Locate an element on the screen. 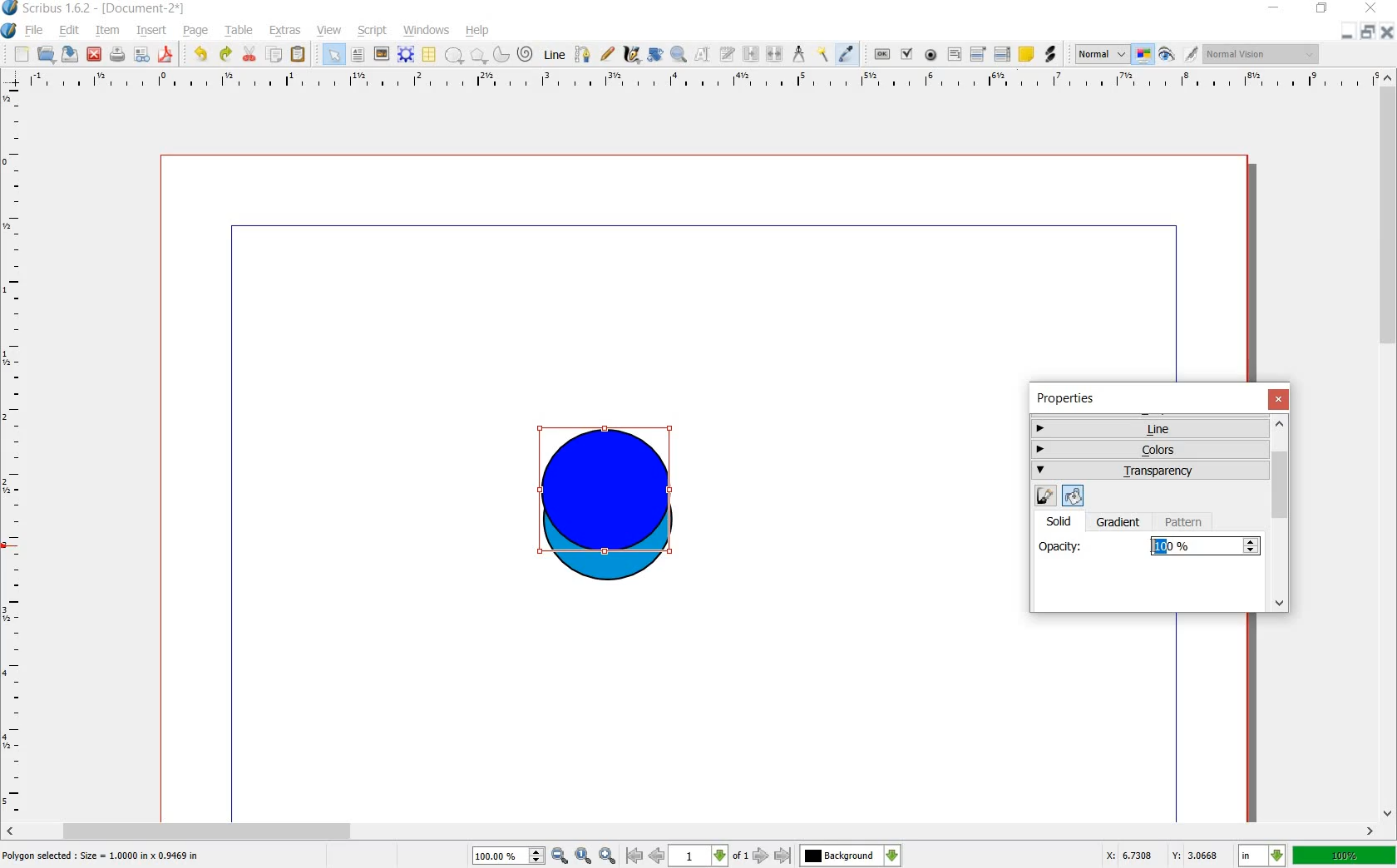 This screenshot has width=1397, height=868. system logo is located at coordinates (8, 31).